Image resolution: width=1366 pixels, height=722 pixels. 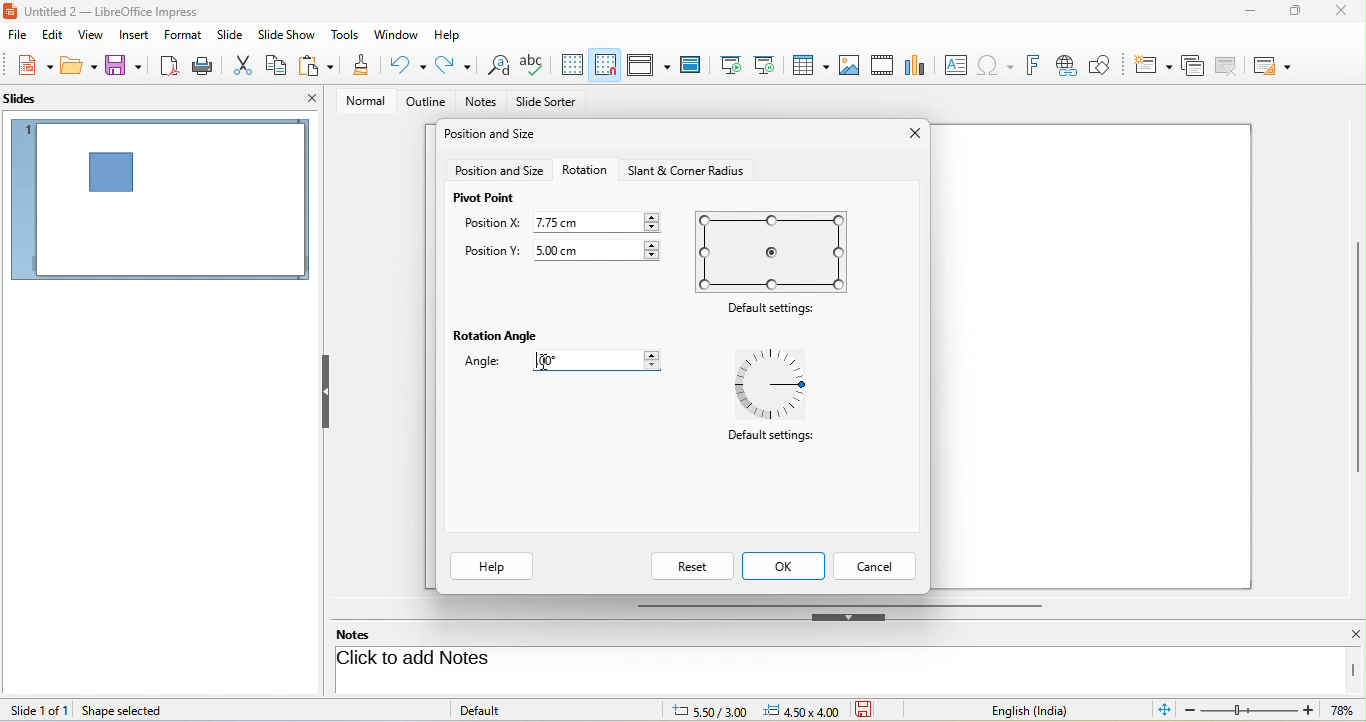 I want to click on clone formatting, so click(x=362, y=67).